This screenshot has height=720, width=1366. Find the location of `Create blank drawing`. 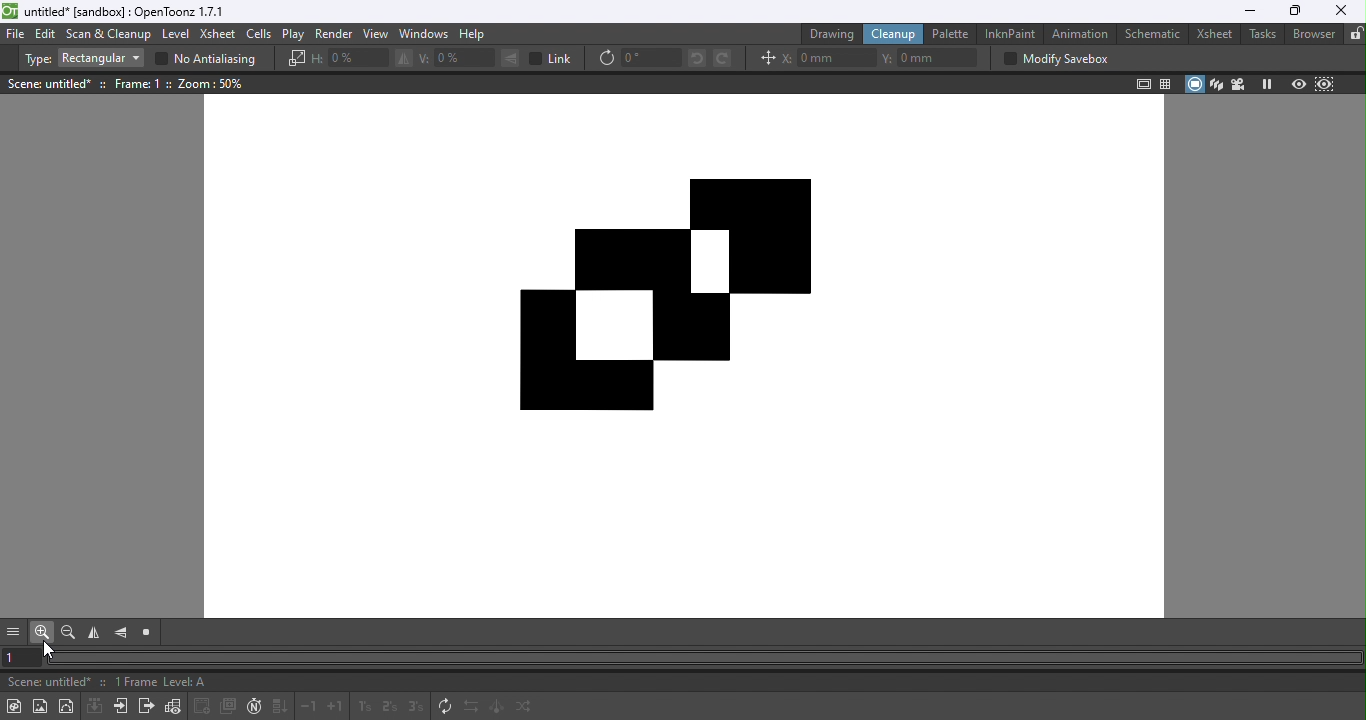

Create blank drawing is located at coordinates (202, 706).